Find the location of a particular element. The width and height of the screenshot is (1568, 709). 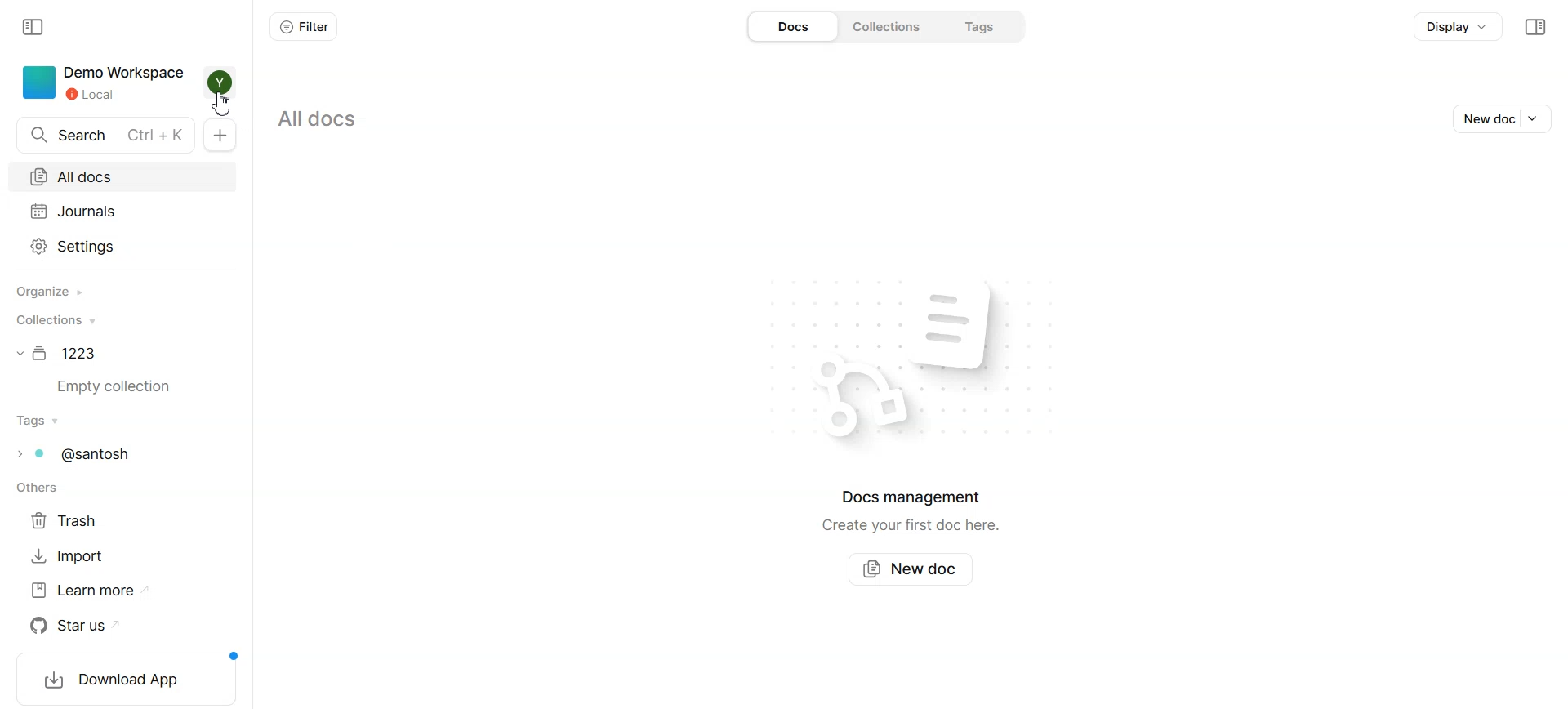

Tags is located at coordinates (81, 453).